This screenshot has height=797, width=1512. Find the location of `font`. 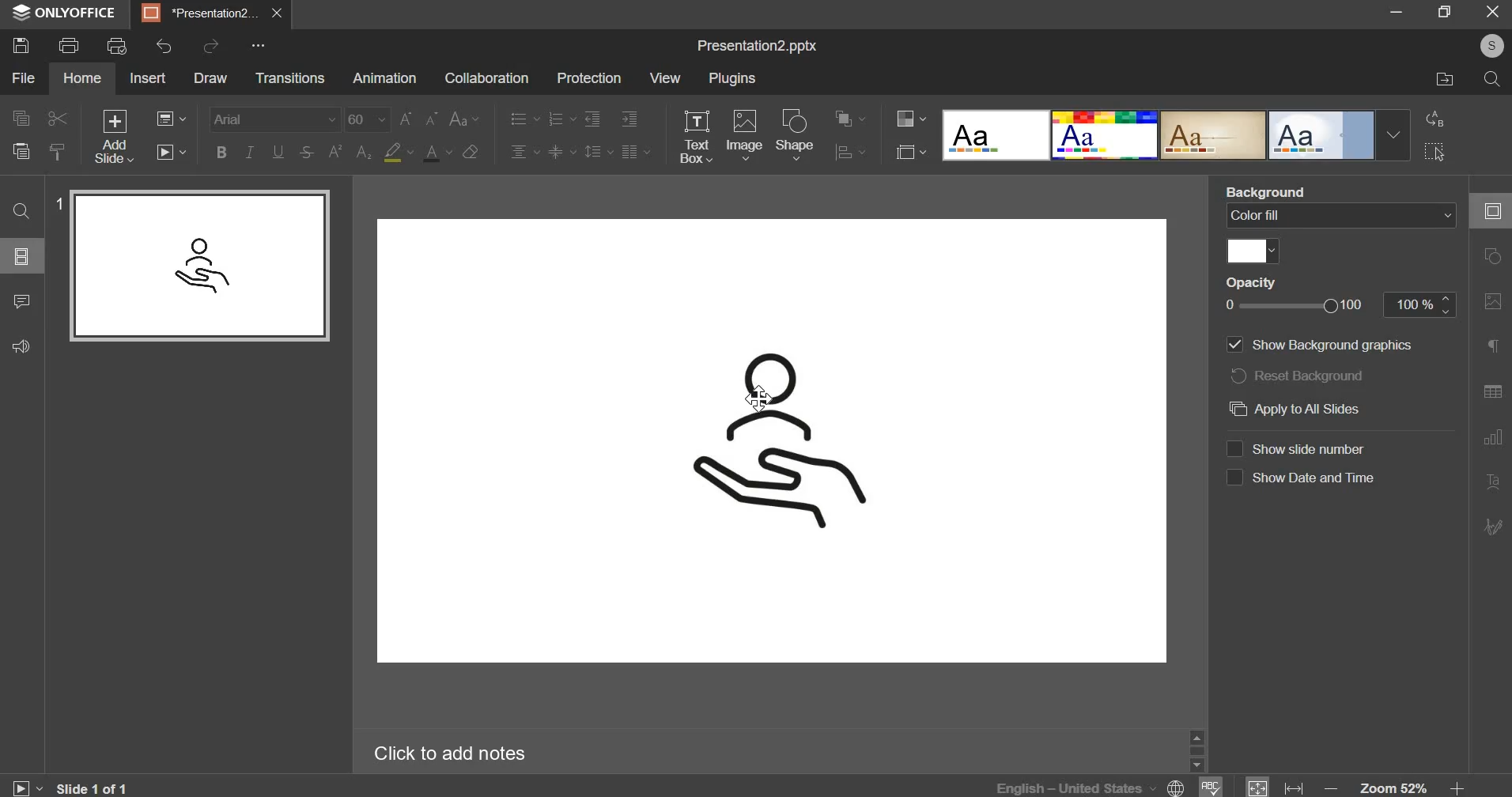

font is located at coordinates (274, 119).